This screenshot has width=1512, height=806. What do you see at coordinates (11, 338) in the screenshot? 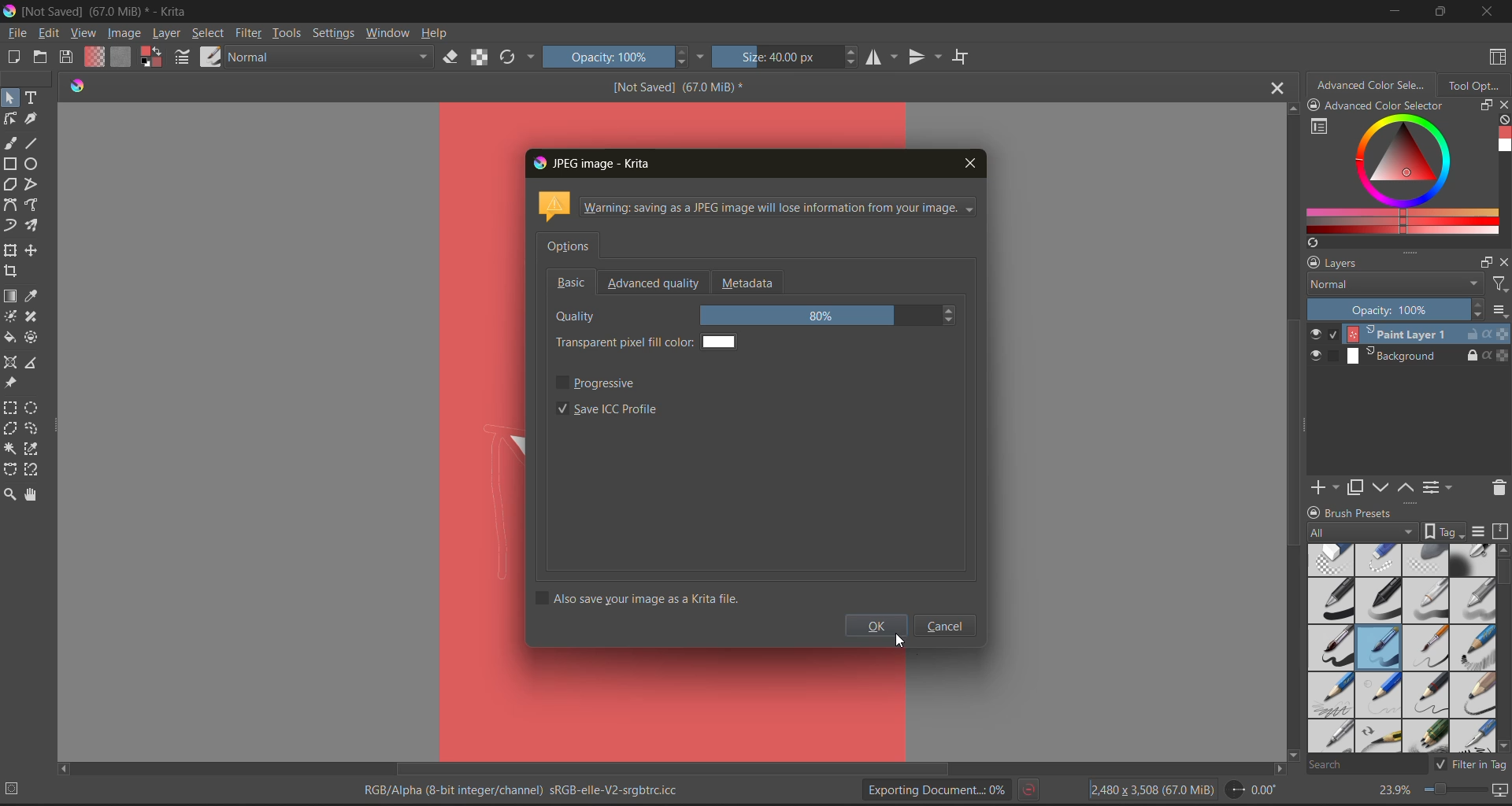
I see `tools` at bounding box center [11, 338].